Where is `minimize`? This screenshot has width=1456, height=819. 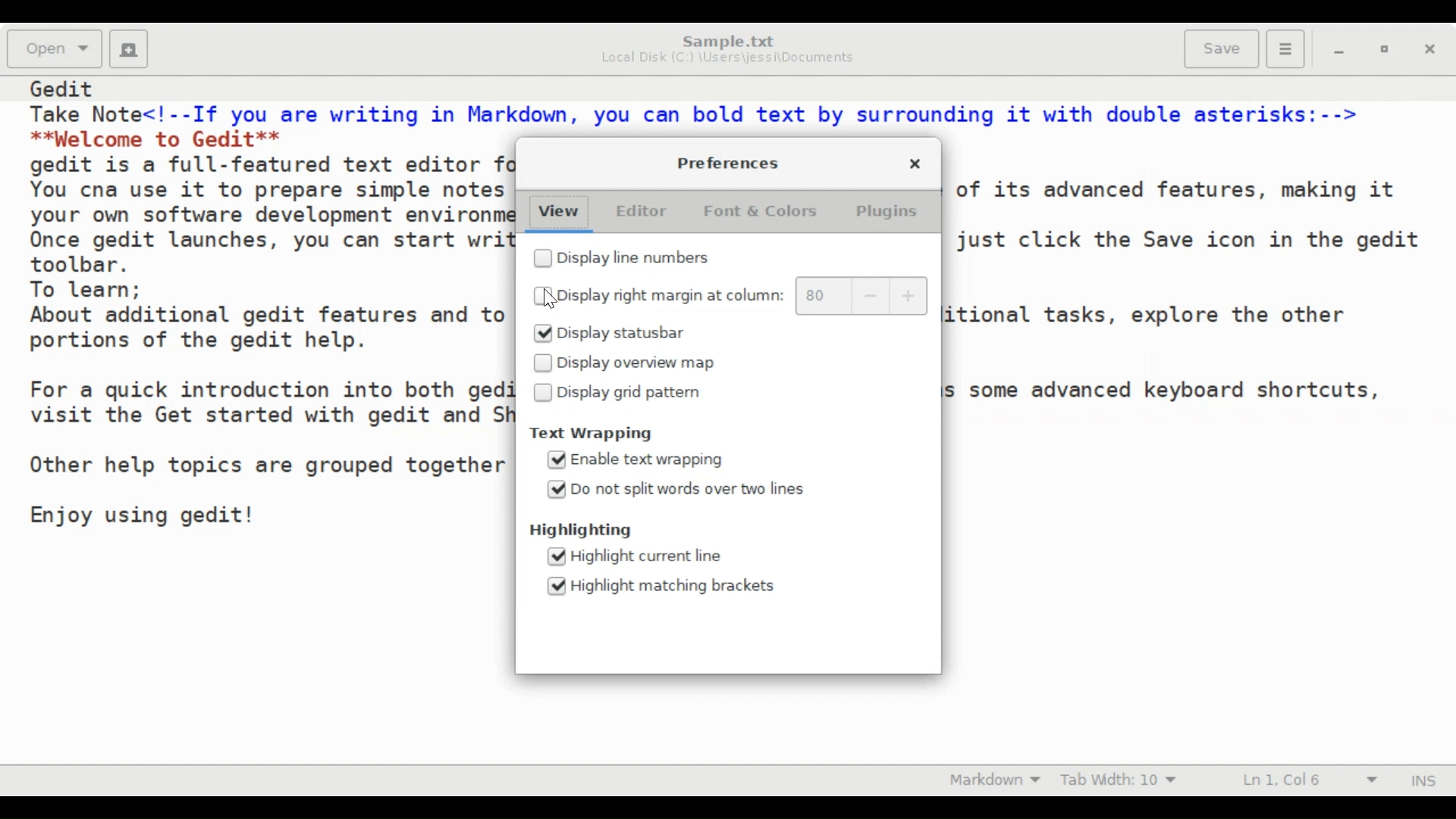 minimize is located at coordinates (1340, 52).